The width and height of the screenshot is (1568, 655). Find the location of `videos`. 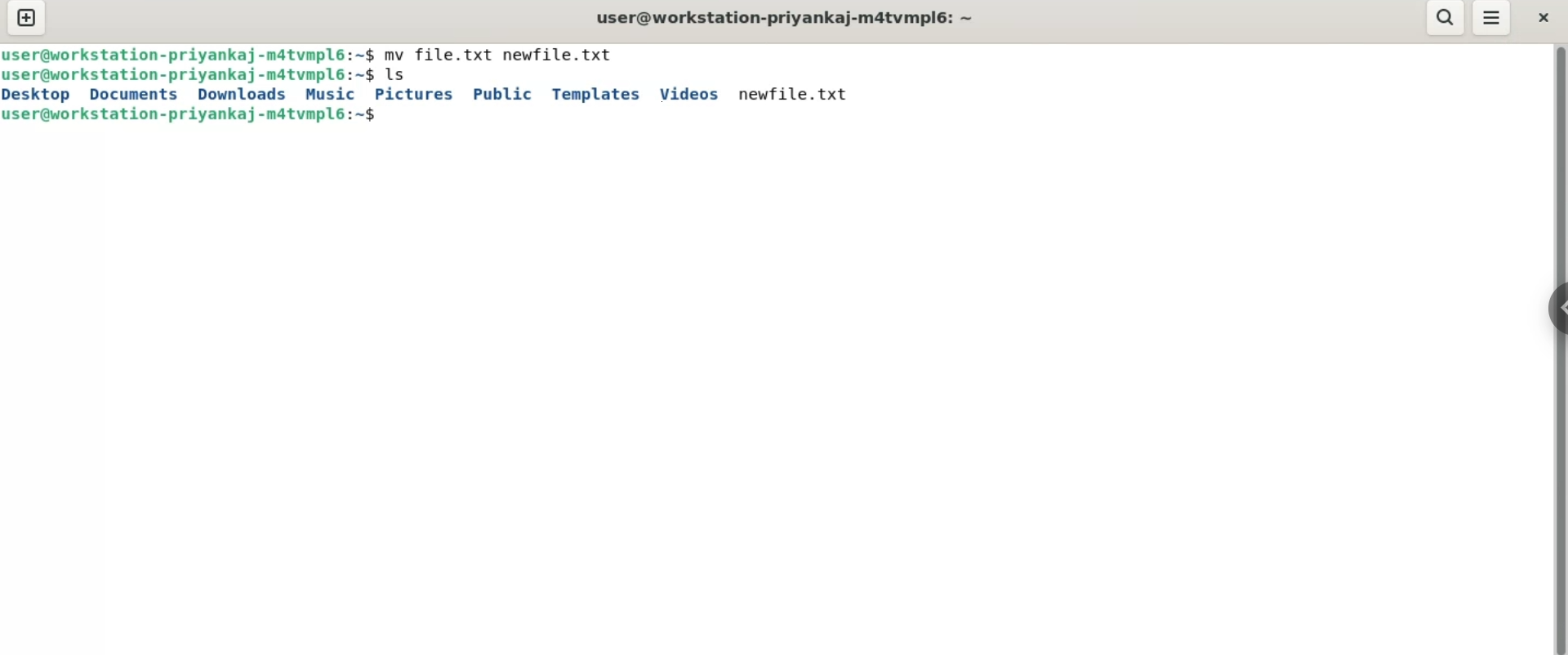

videos is located at coordinates (692, 94).